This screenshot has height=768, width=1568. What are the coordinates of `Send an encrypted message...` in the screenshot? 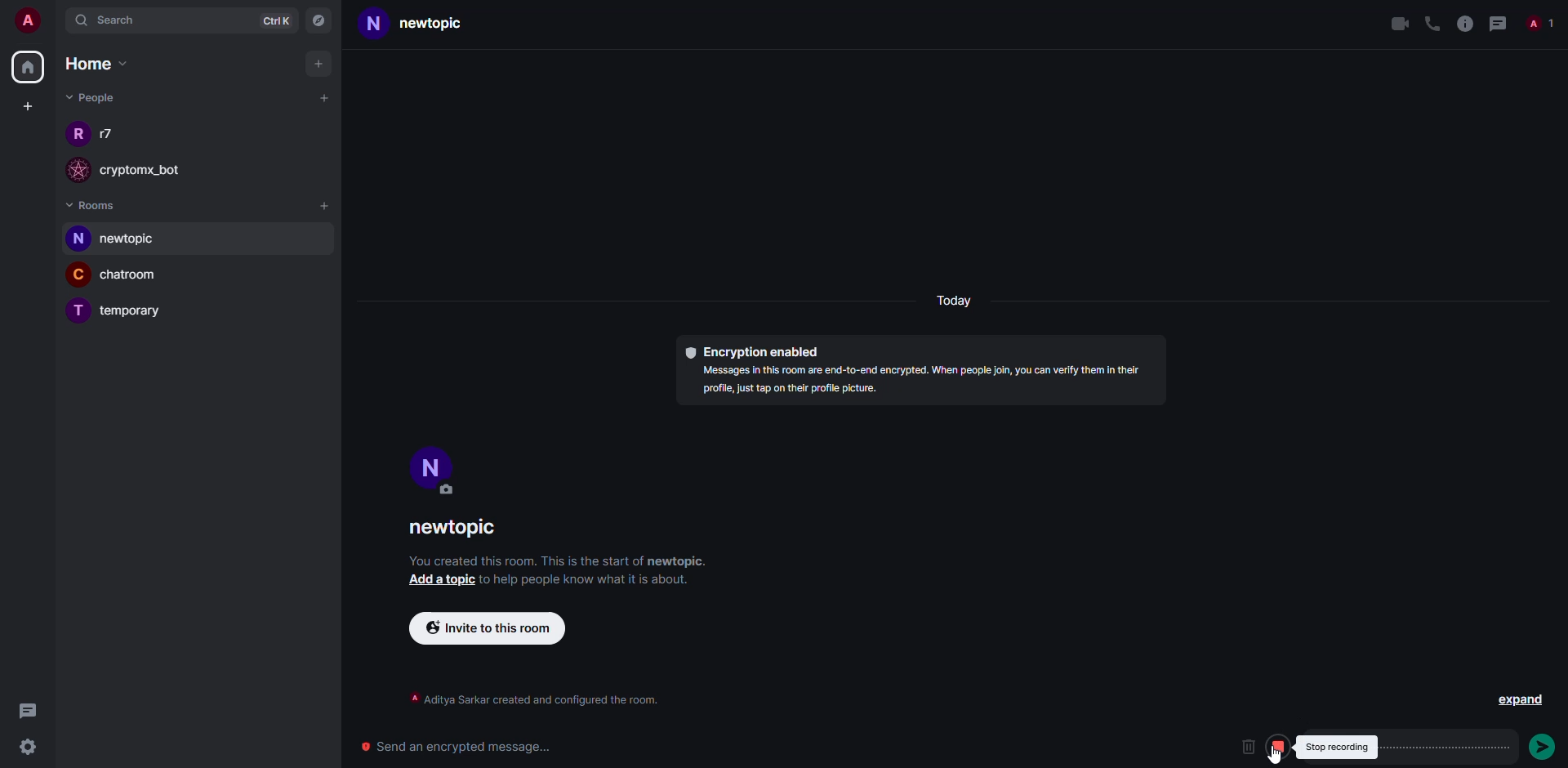 It's located at (466, 748).